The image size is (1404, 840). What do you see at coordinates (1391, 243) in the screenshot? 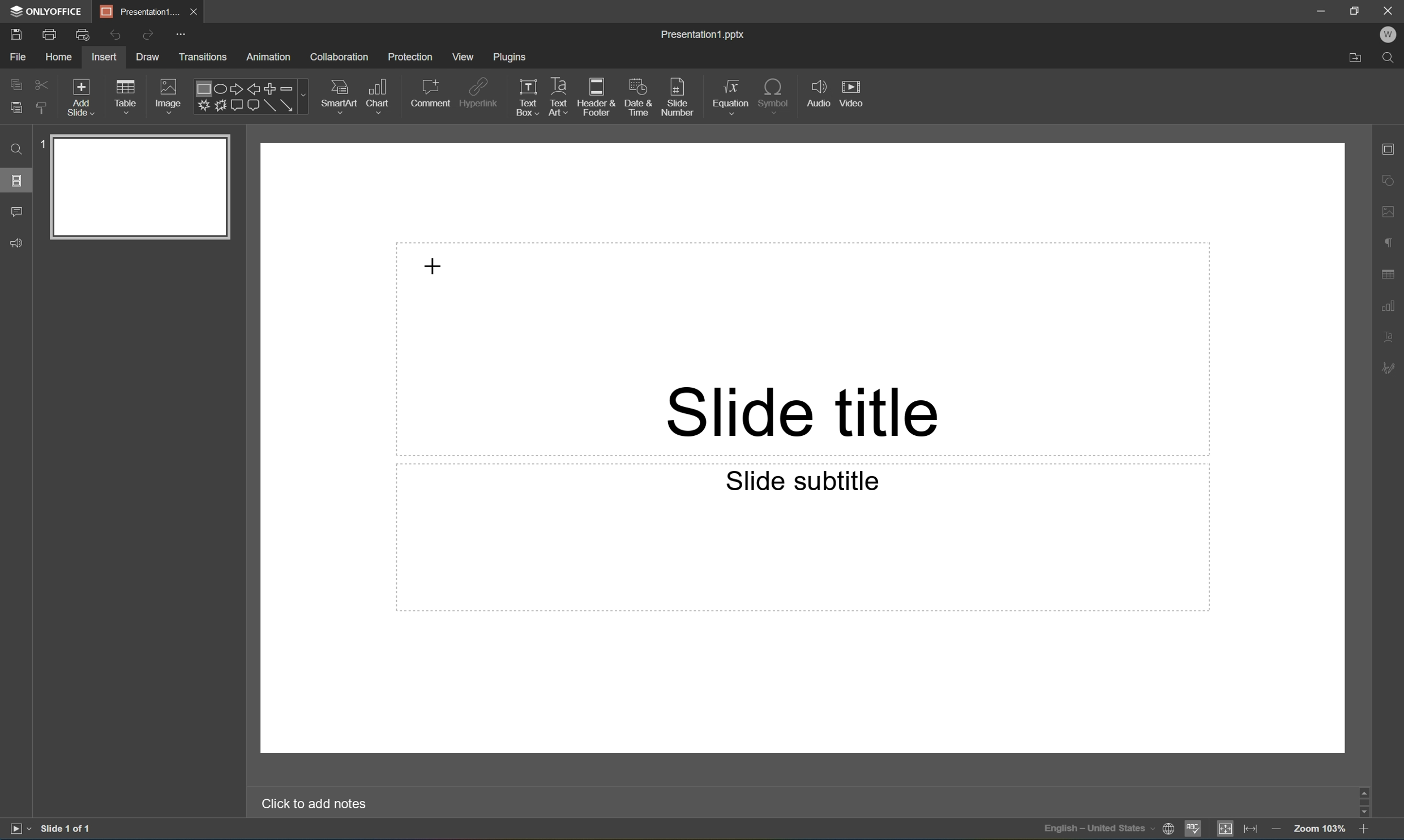
I see `Paragraph settings` at bounding box center [1391, 243].